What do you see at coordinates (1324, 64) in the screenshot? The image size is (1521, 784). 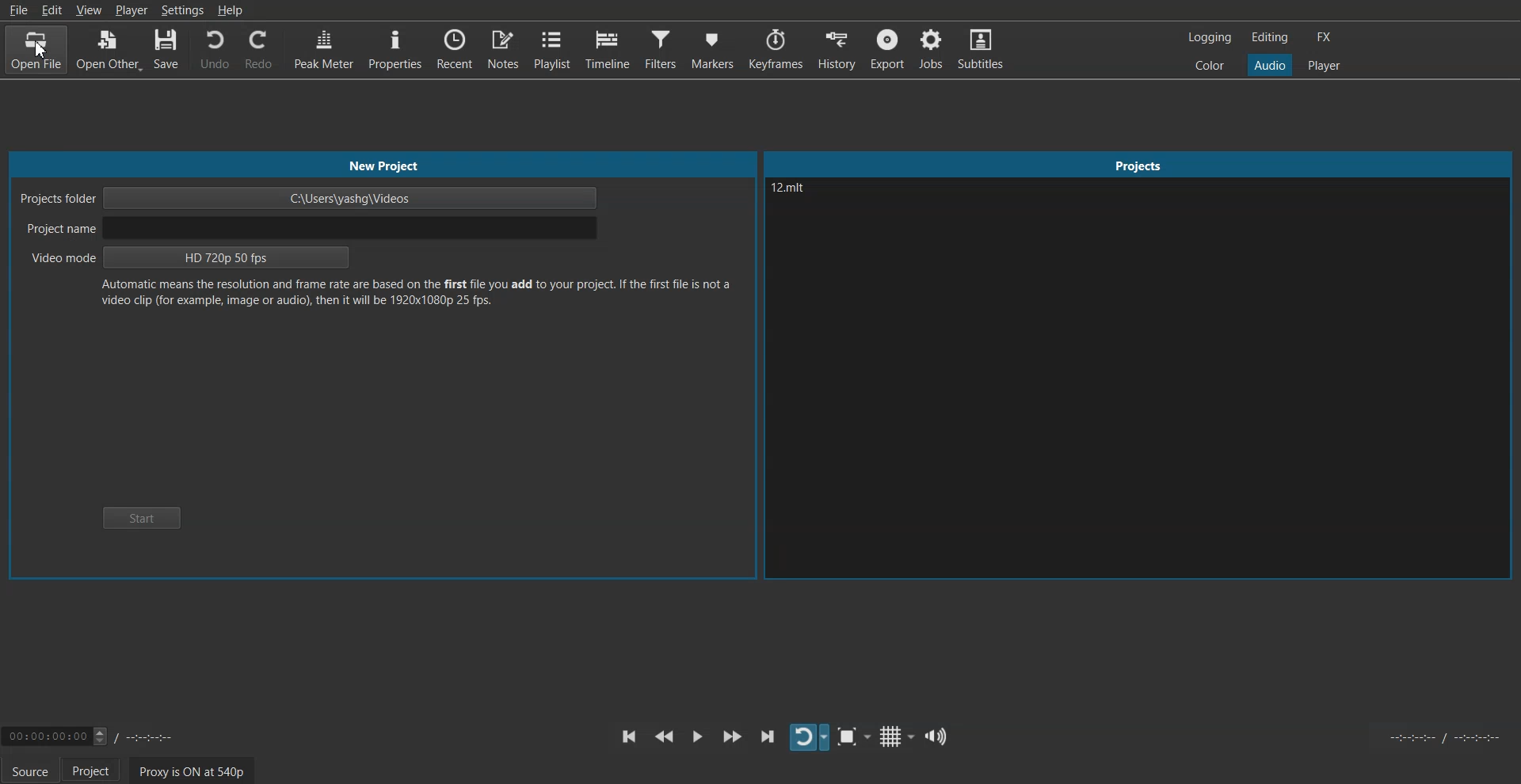 I see `Player` at bounding box center [1324, 64].